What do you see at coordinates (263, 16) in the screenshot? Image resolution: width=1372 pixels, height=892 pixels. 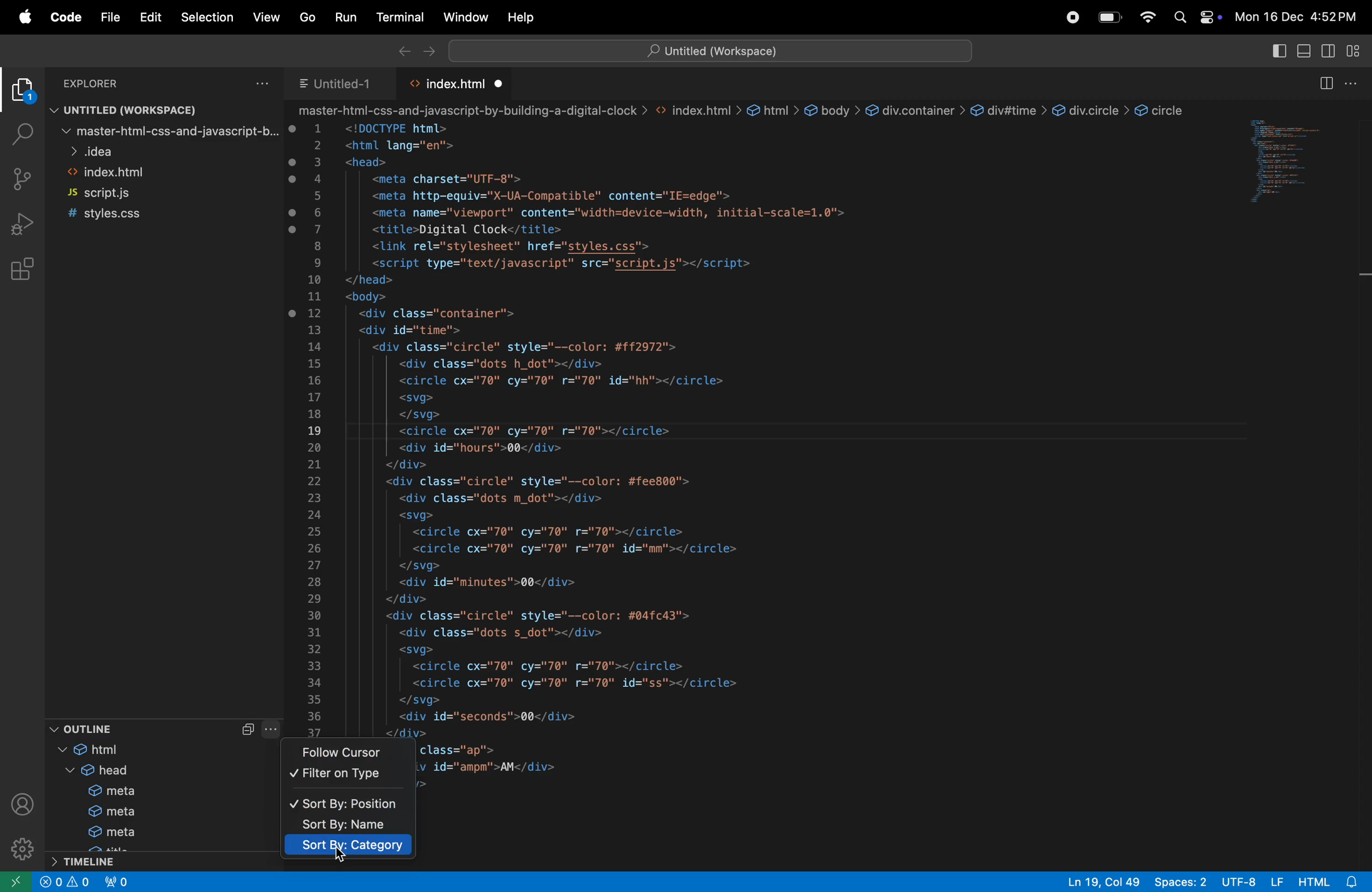 I see `view` at bounding box center [263, 16].